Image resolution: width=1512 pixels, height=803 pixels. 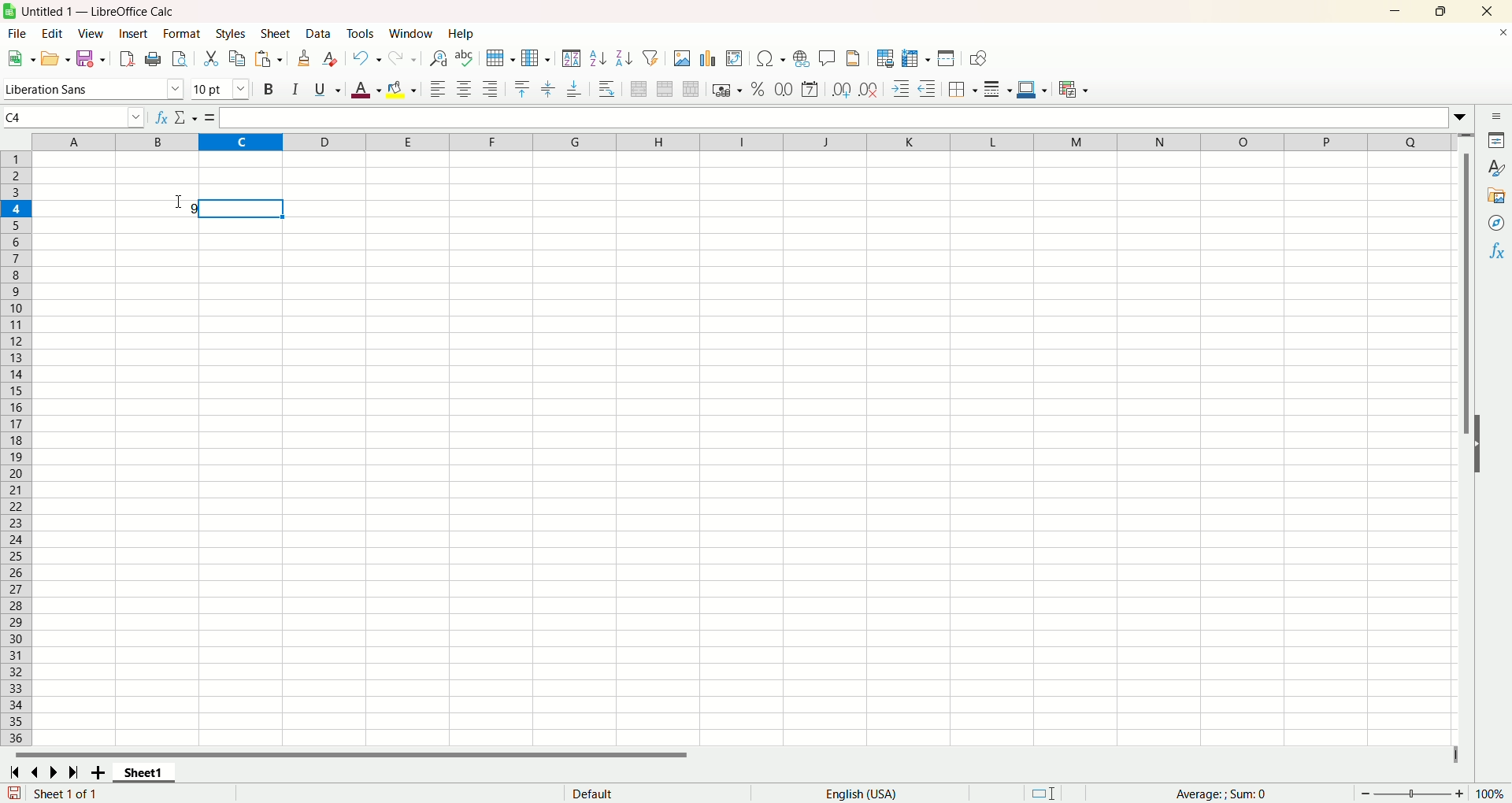 I want to click on sheet number, so click(x=117, y=794).